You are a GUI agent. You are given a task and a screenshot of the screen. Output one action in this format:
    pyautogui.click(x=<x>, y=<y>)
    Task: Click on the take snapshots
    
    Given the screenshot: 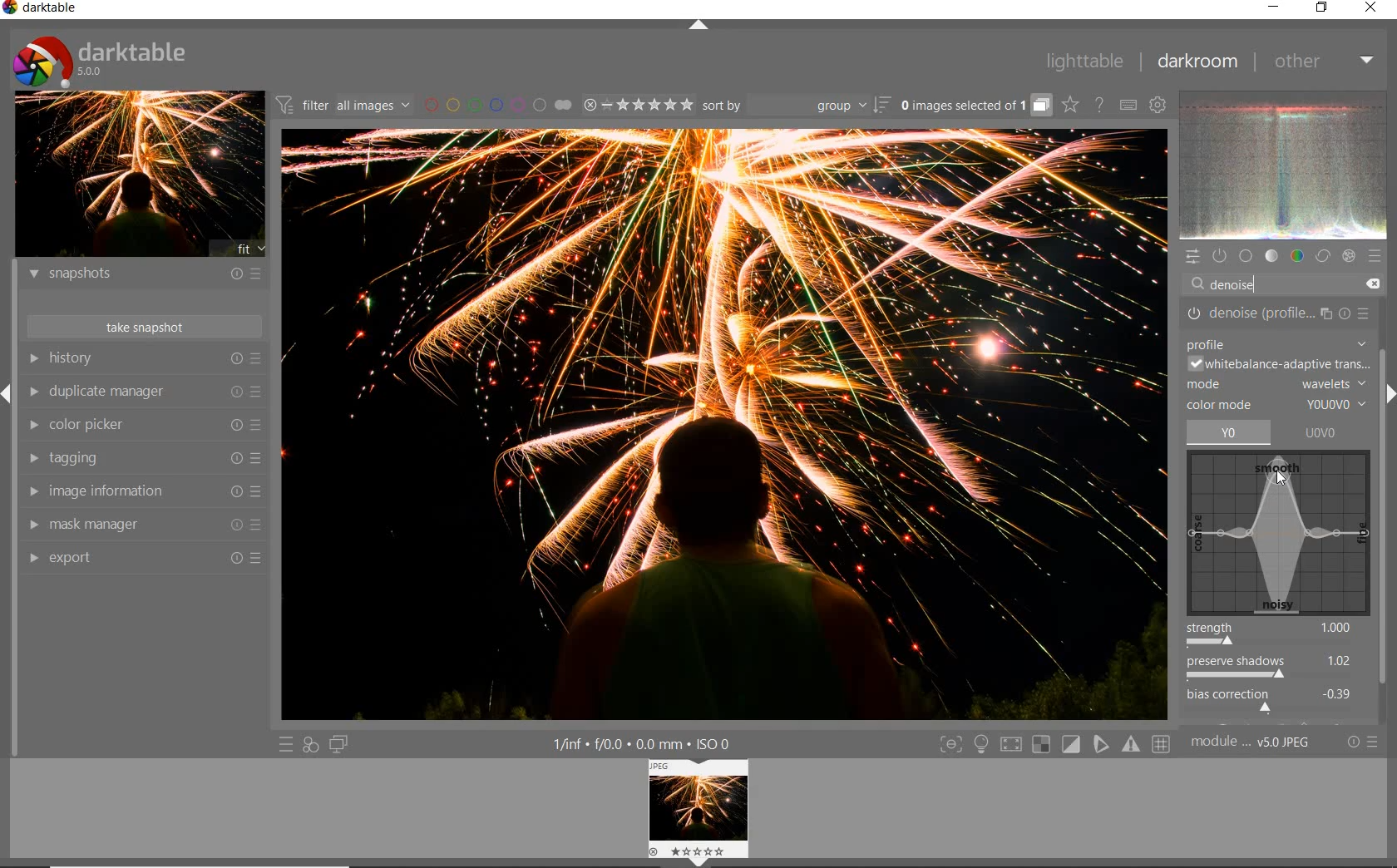 What is the action you would take?
    pyautogui.click(x=144, y=328)
    